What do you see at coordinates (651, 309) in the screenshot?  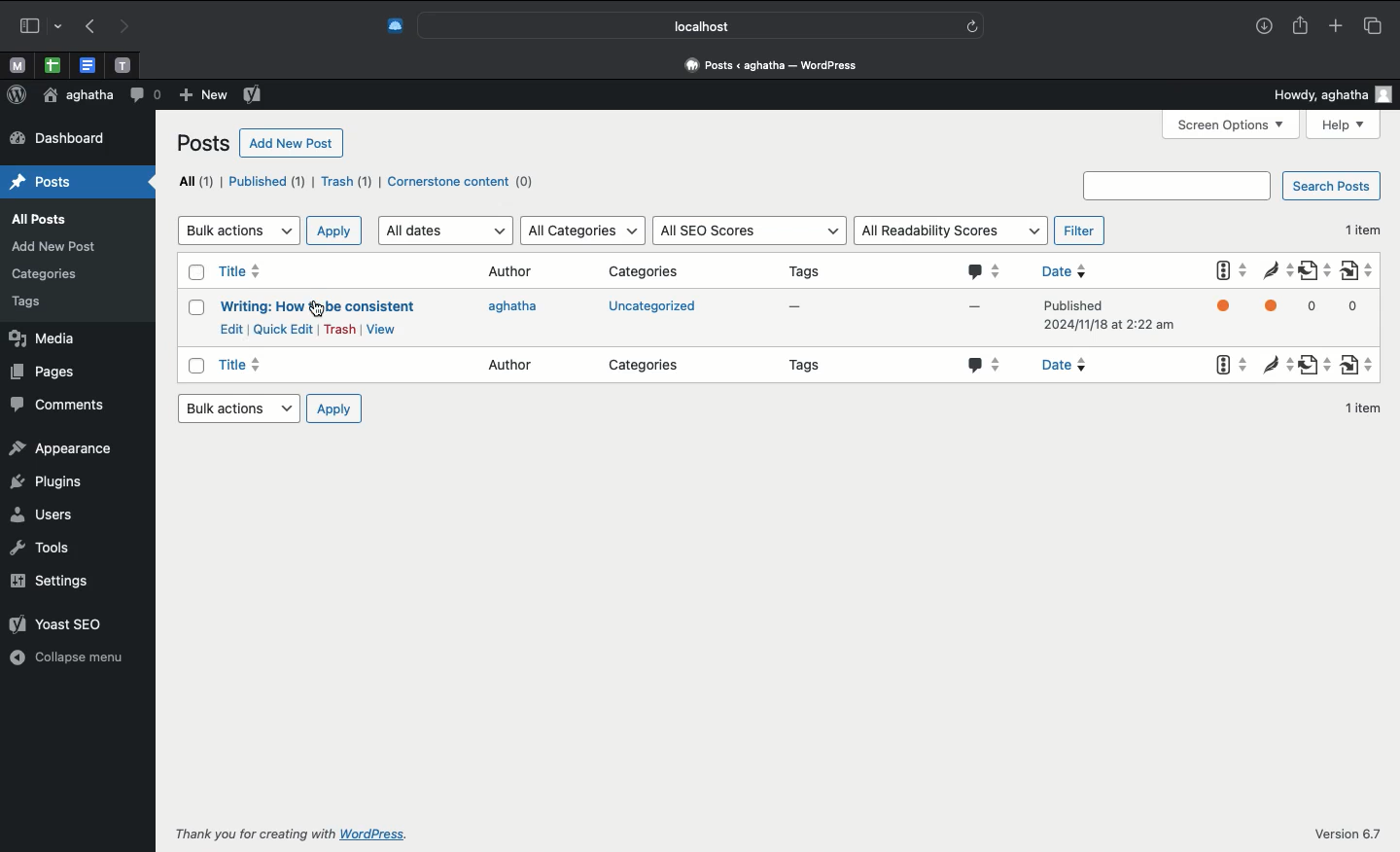 I see `uncategorized` at bounding box center [651, 309].